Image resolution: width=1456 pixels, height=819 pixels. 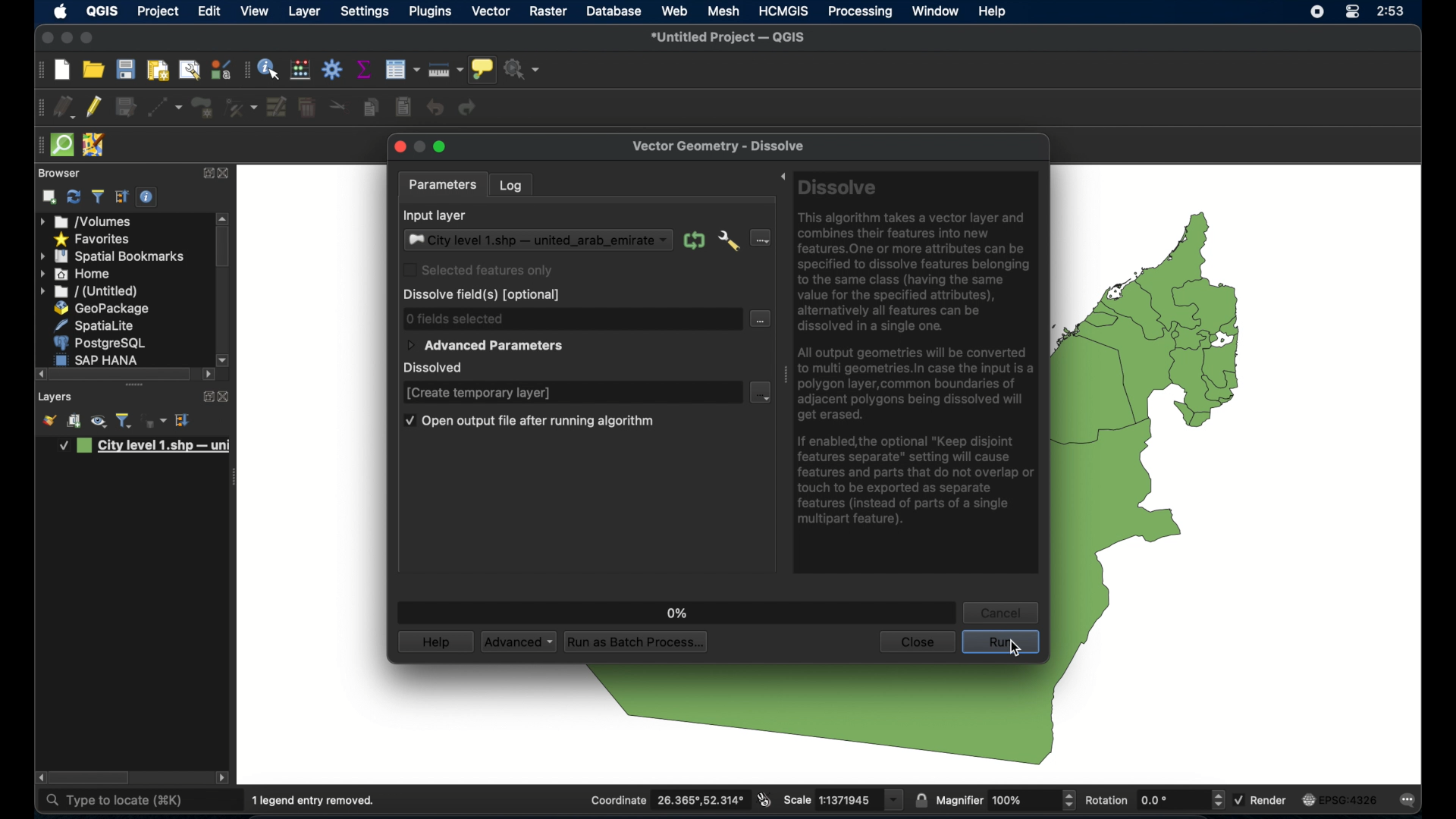 I want to click on add polygon feature, so click(x=202, y=106).